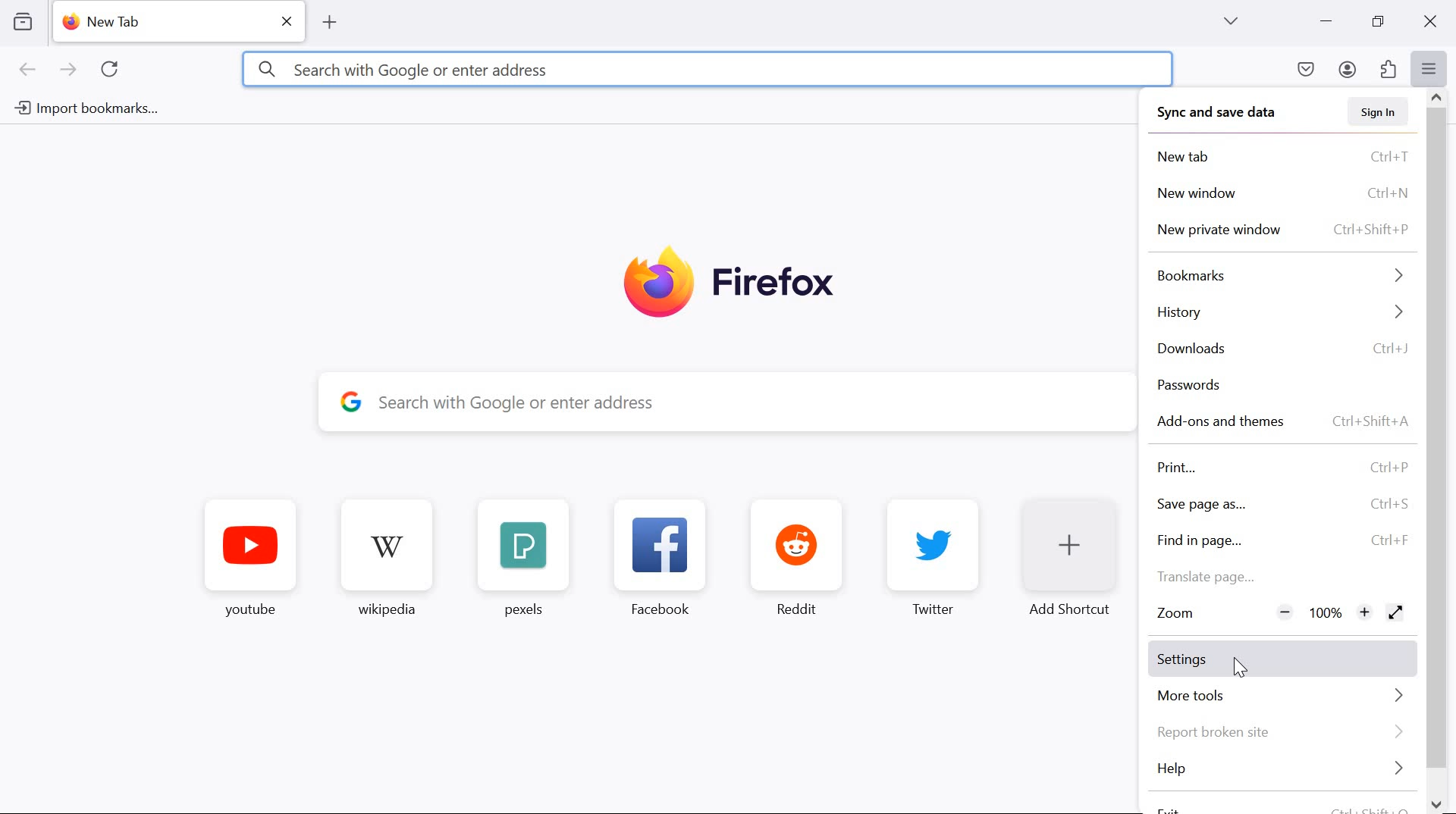  I want to click on scrollbar, so click(1442, 451).